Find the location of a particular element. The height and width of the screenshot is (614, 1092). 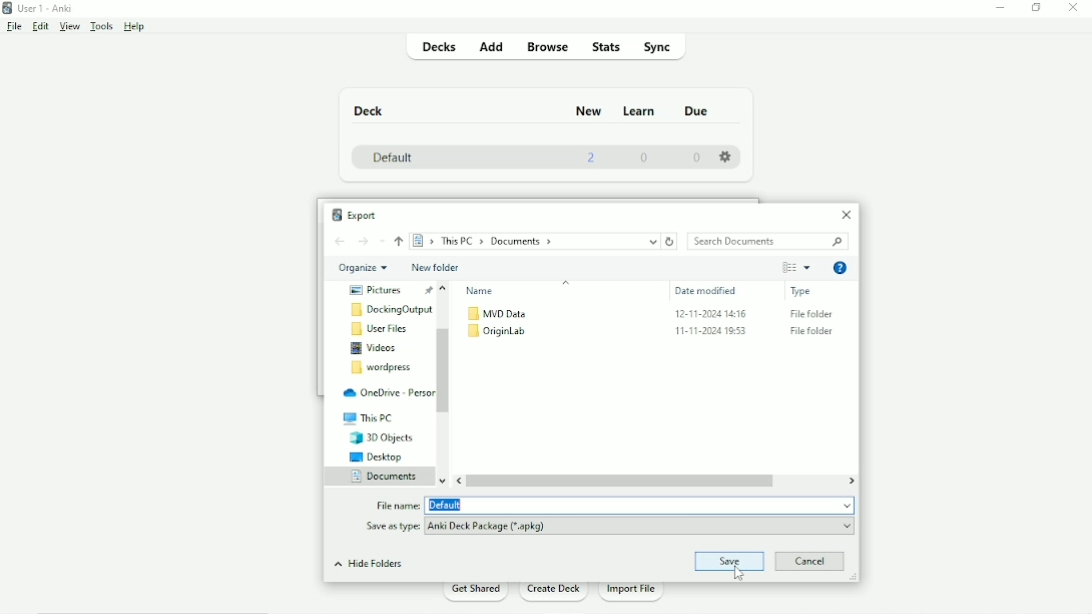

Decks is located at coordinates (435, 46).